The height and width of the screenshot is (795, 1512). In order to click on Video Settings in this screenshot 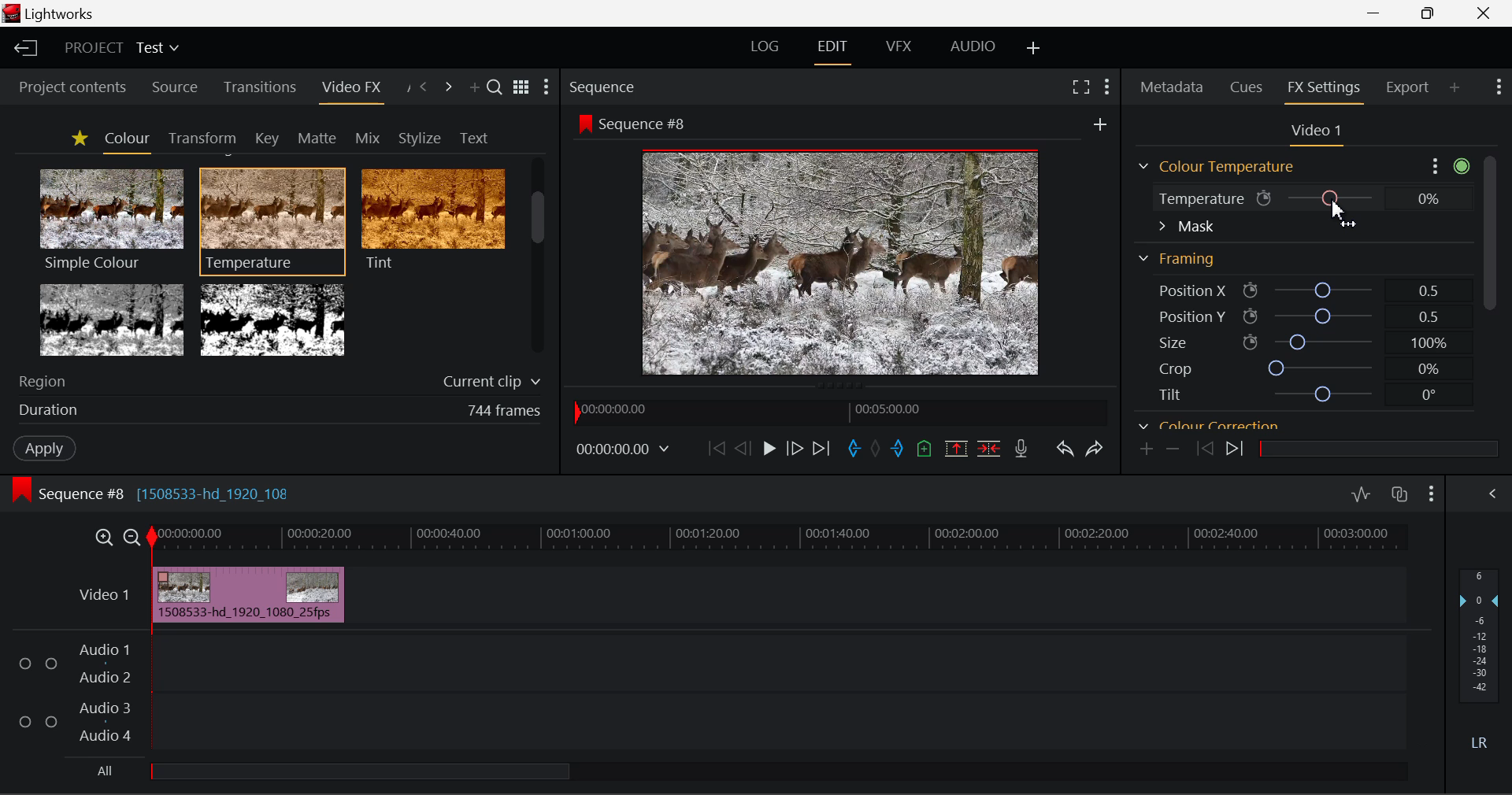, I will do `click(1321, 134)`.